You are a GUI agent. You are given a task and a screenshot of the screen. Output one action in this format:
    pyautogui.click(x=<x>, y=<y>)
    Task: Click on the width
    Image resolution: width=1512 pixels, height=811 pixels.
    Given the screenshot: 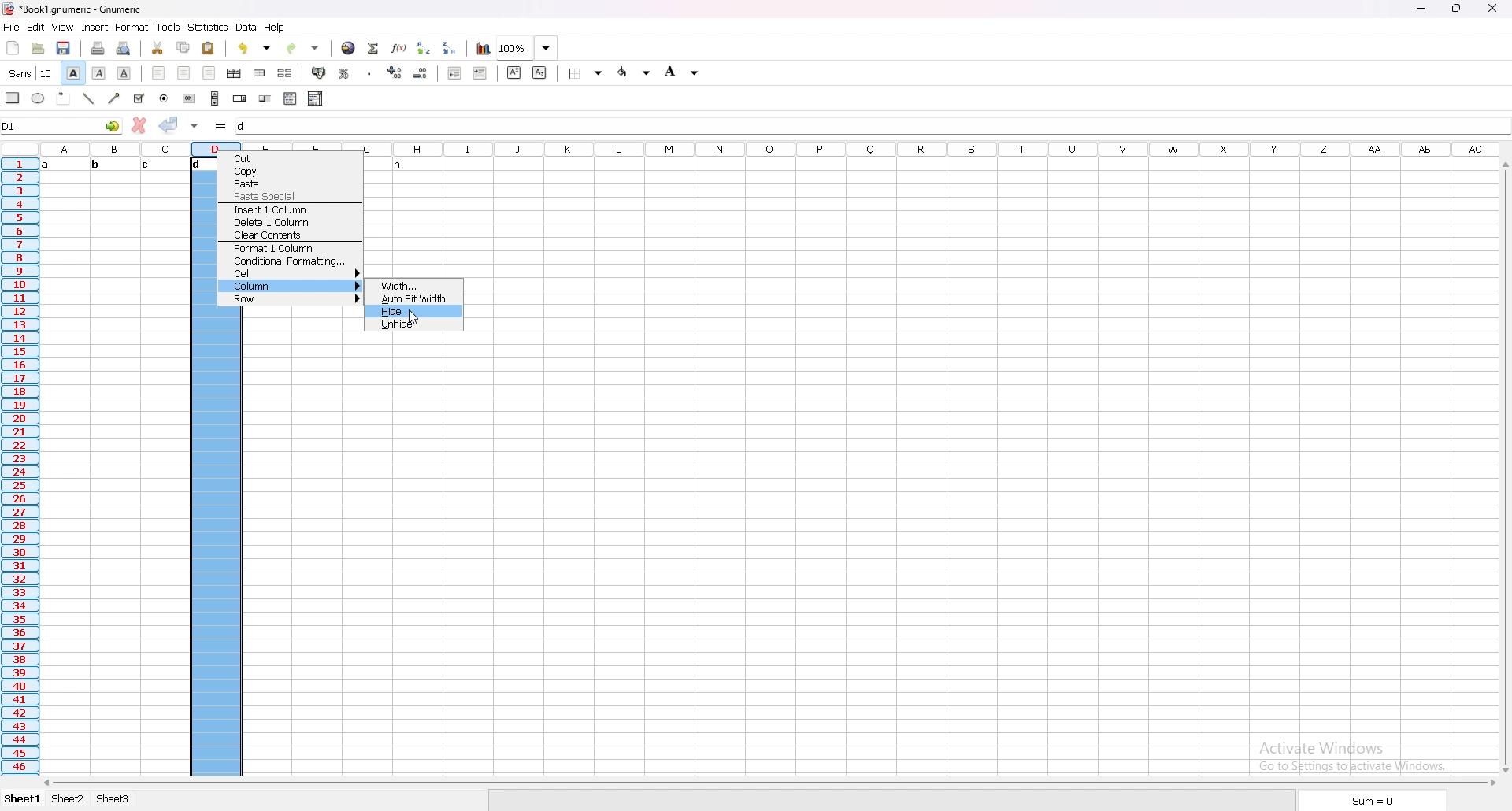 What is the action you would take?
    pyautogui.click(x=414, y=286)
    